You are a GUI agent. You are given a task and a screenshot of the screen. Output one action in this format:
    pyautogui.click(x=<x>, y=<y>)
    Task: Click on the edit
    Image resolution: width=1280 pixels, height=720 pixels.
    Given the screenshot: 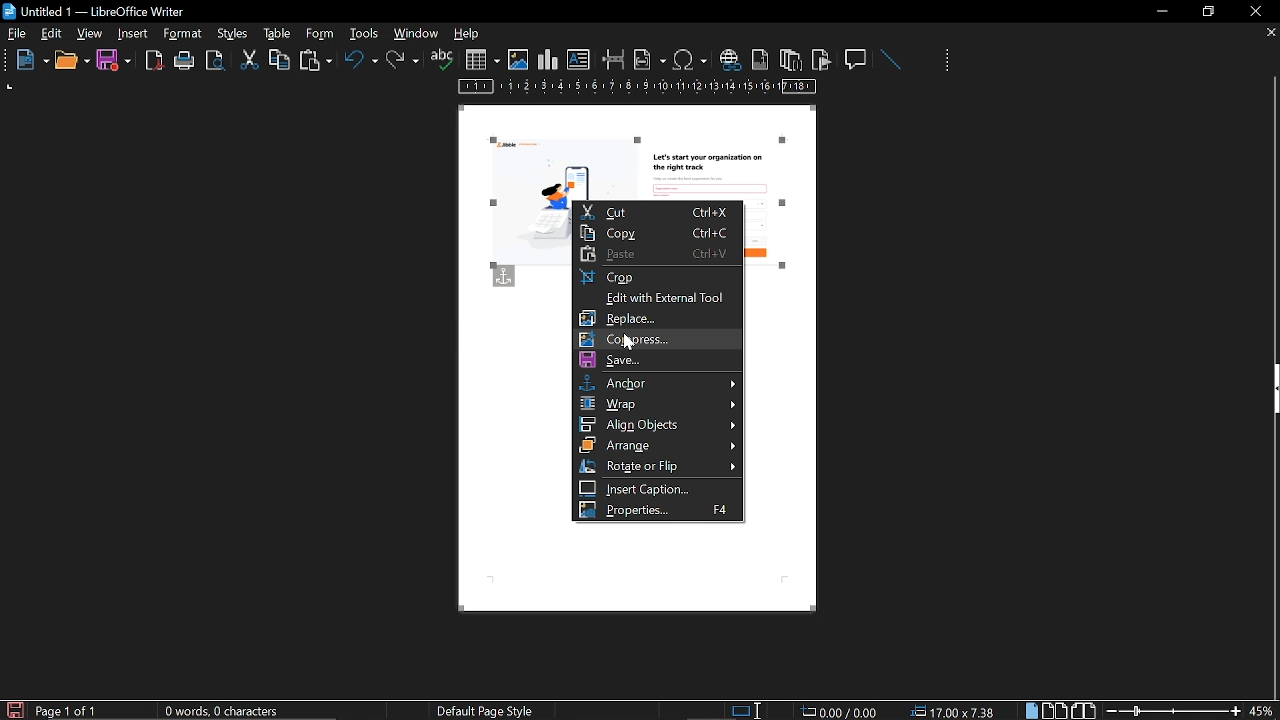 What is the action you would take?
    pyautogui.click(x=52, y=35)
    